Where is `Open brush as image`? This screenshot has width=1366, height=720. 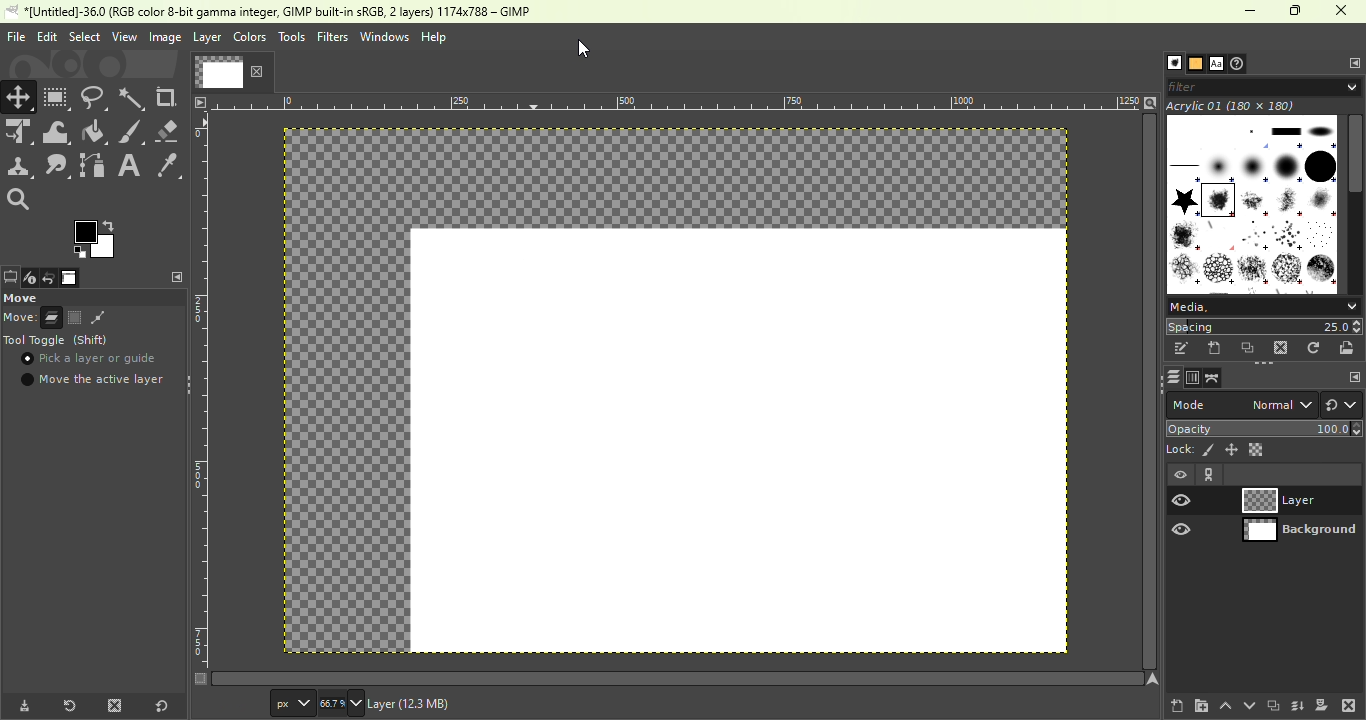
Open brush as image is located at coordinates (1350, 348).